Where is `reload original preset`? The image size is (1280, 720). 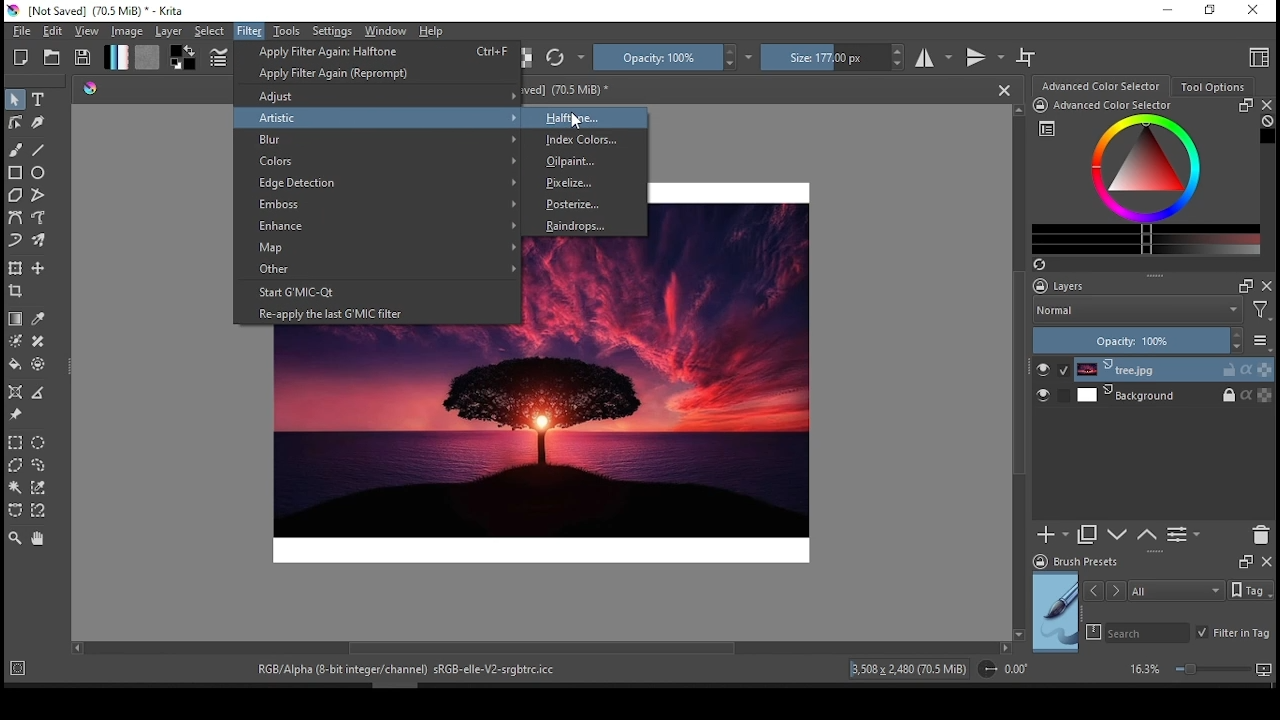 reload original preset is located at coordinates (563, 57).